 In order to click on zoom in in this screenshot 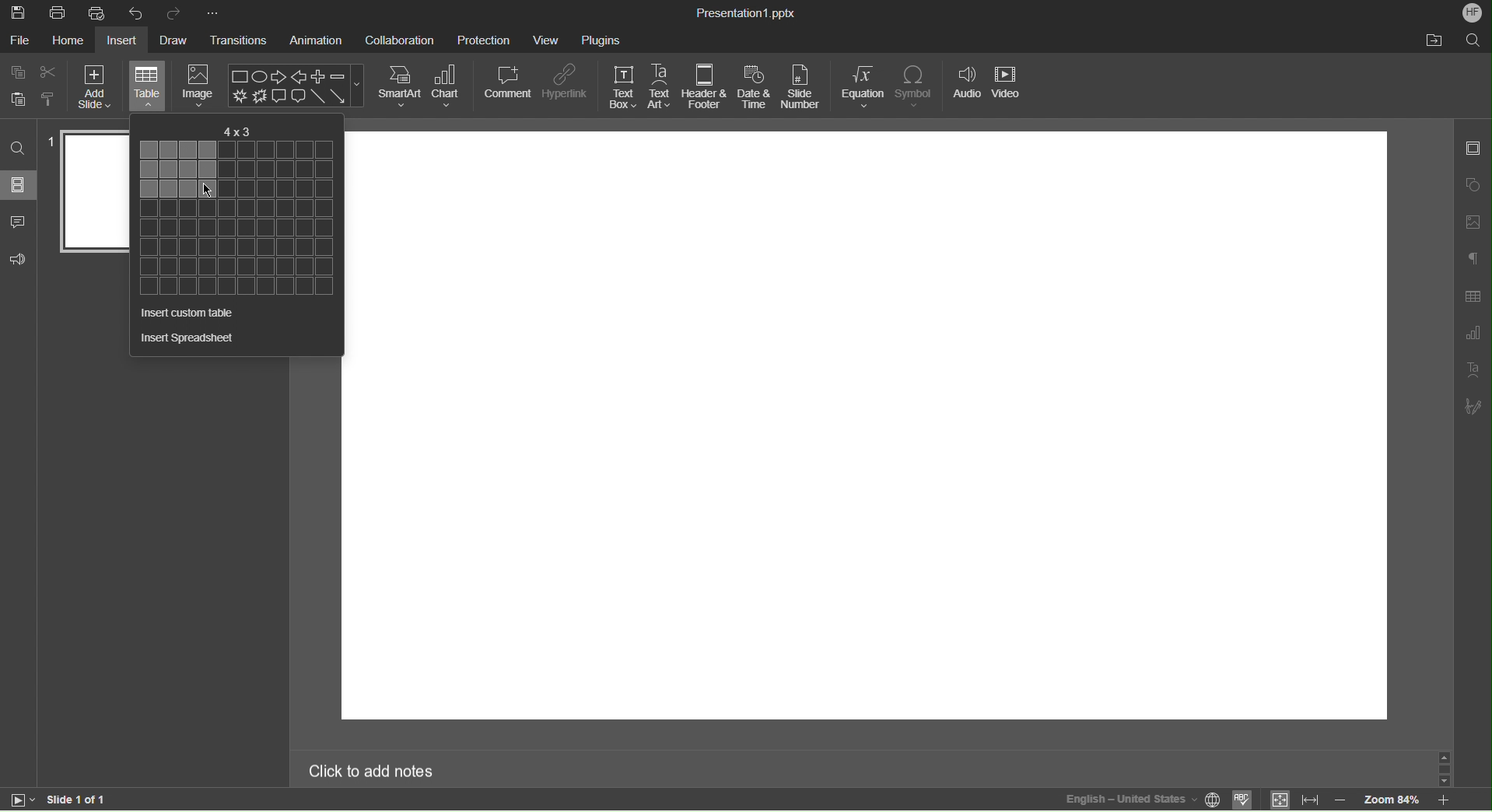, I will do `click(1442, 800)`.